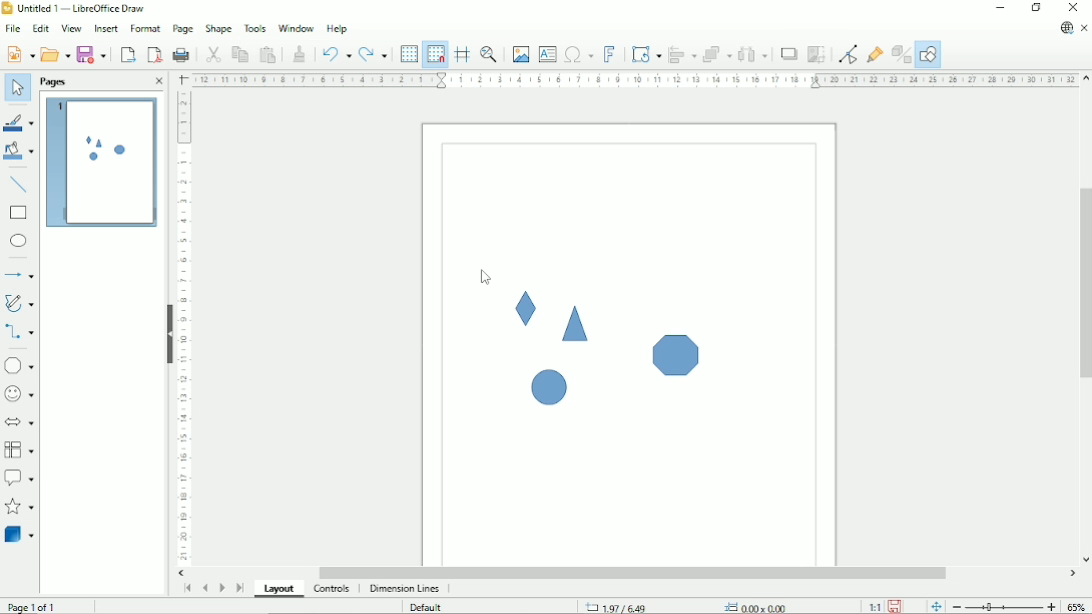 Image resolution: width=1092 pixels, height=614 pixels. Describe the element at coordinates (1002, 8) in the screenshot. I see `Minimize` at that location.